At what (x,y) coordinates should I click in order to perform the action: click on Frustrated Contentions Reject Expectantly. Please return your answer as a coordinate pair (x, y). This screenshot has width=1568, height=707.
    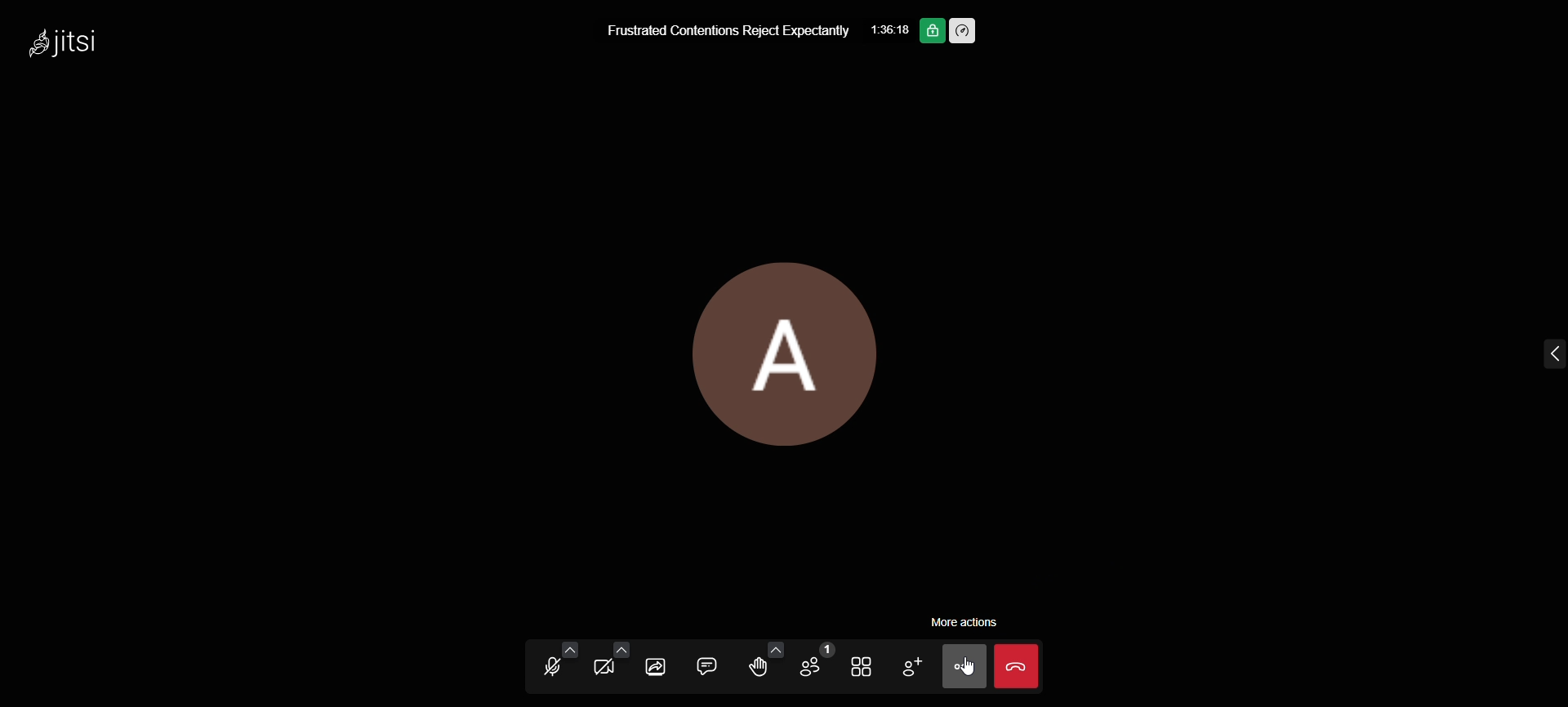
    Looking at the image, I should click on (728, 34).